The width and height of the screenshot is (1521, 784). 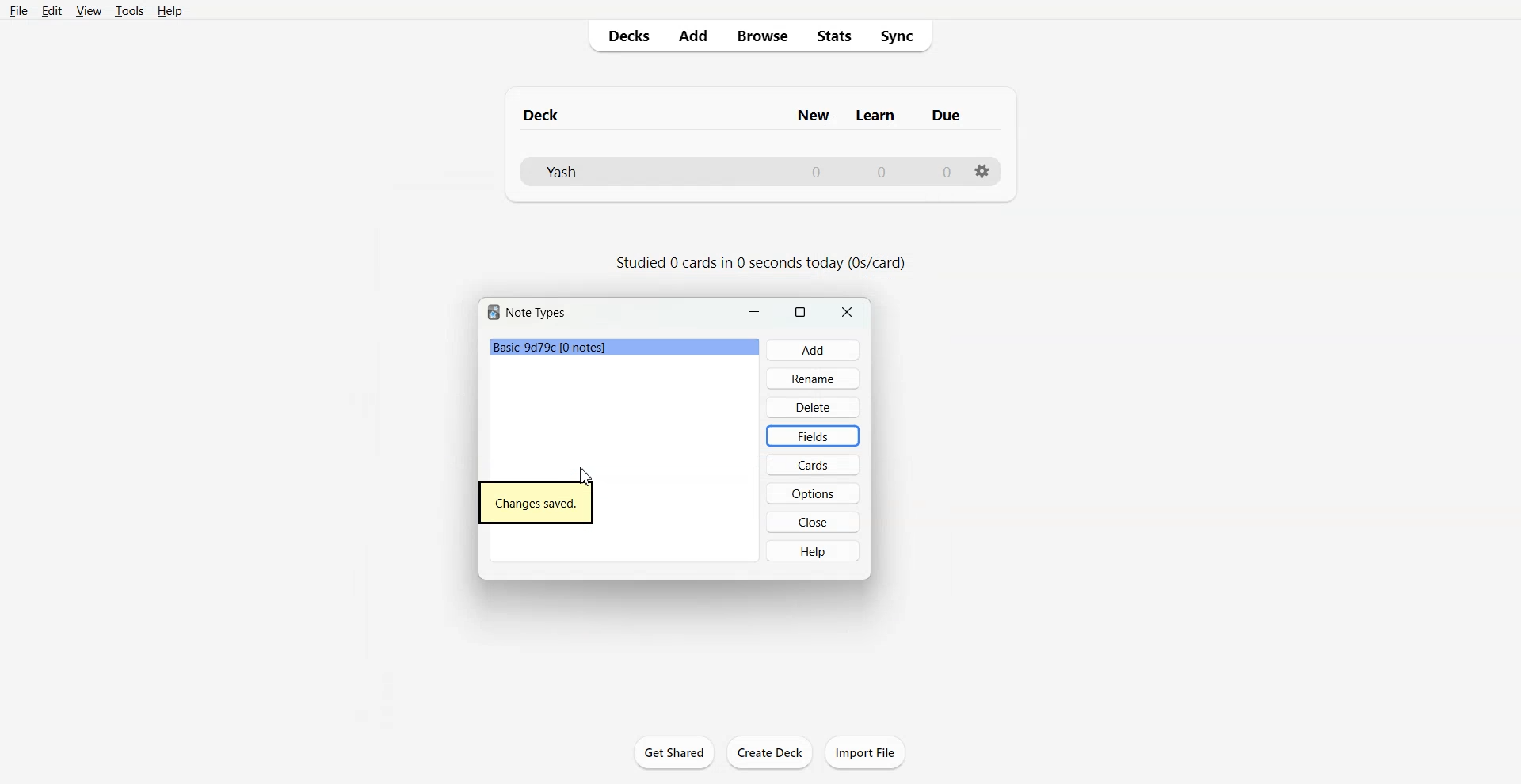 What do you see at coordinates (882, 171) in the screenshot?
I see `Number of Learn cards` at bounding box center [882, 171].